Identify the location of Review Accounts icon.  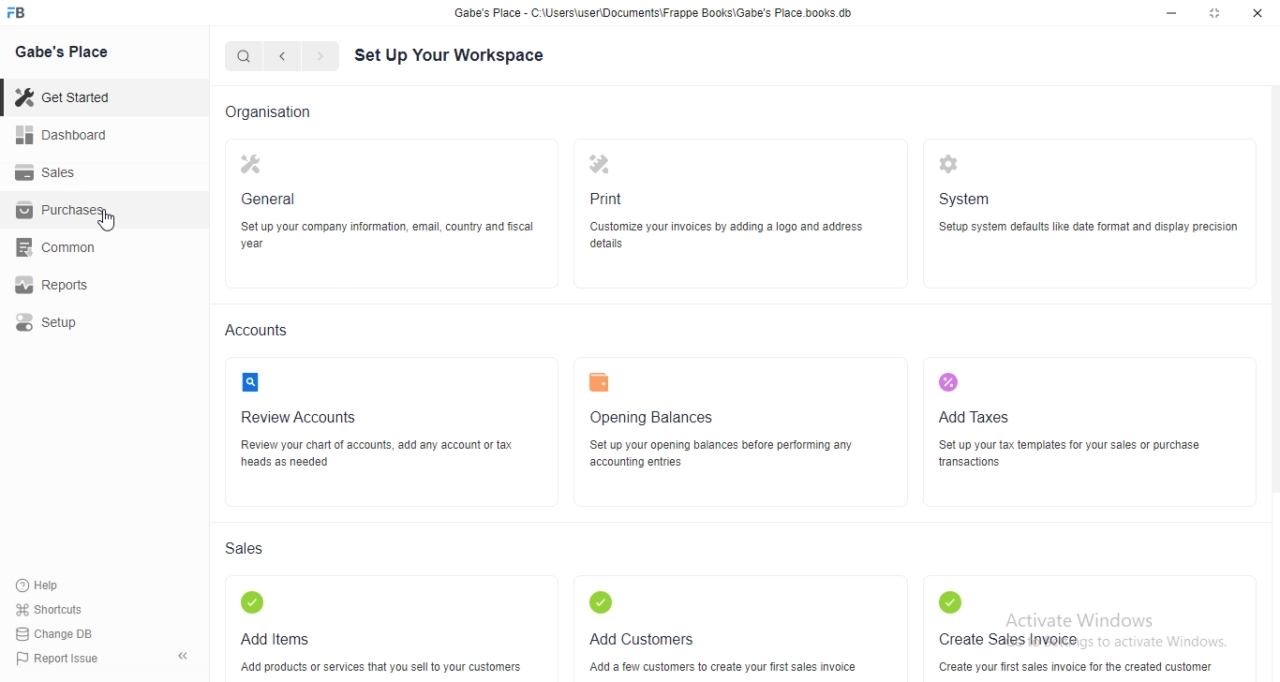
(250, 382).